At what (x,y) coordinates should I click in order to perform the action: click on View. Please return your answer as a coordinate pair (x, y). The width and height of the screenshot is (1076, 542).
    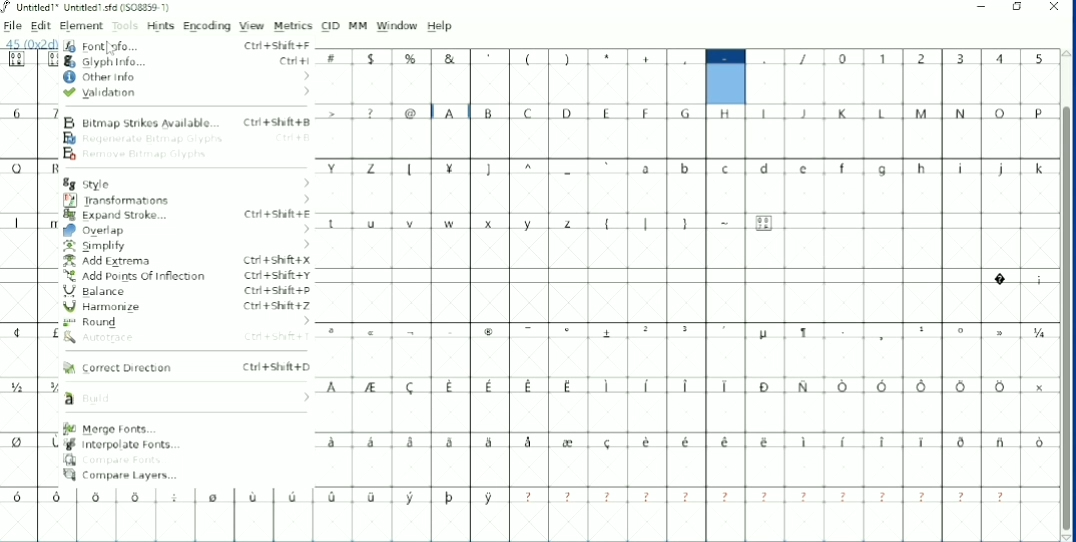
    Looking at the image, I should click on (252, 26).